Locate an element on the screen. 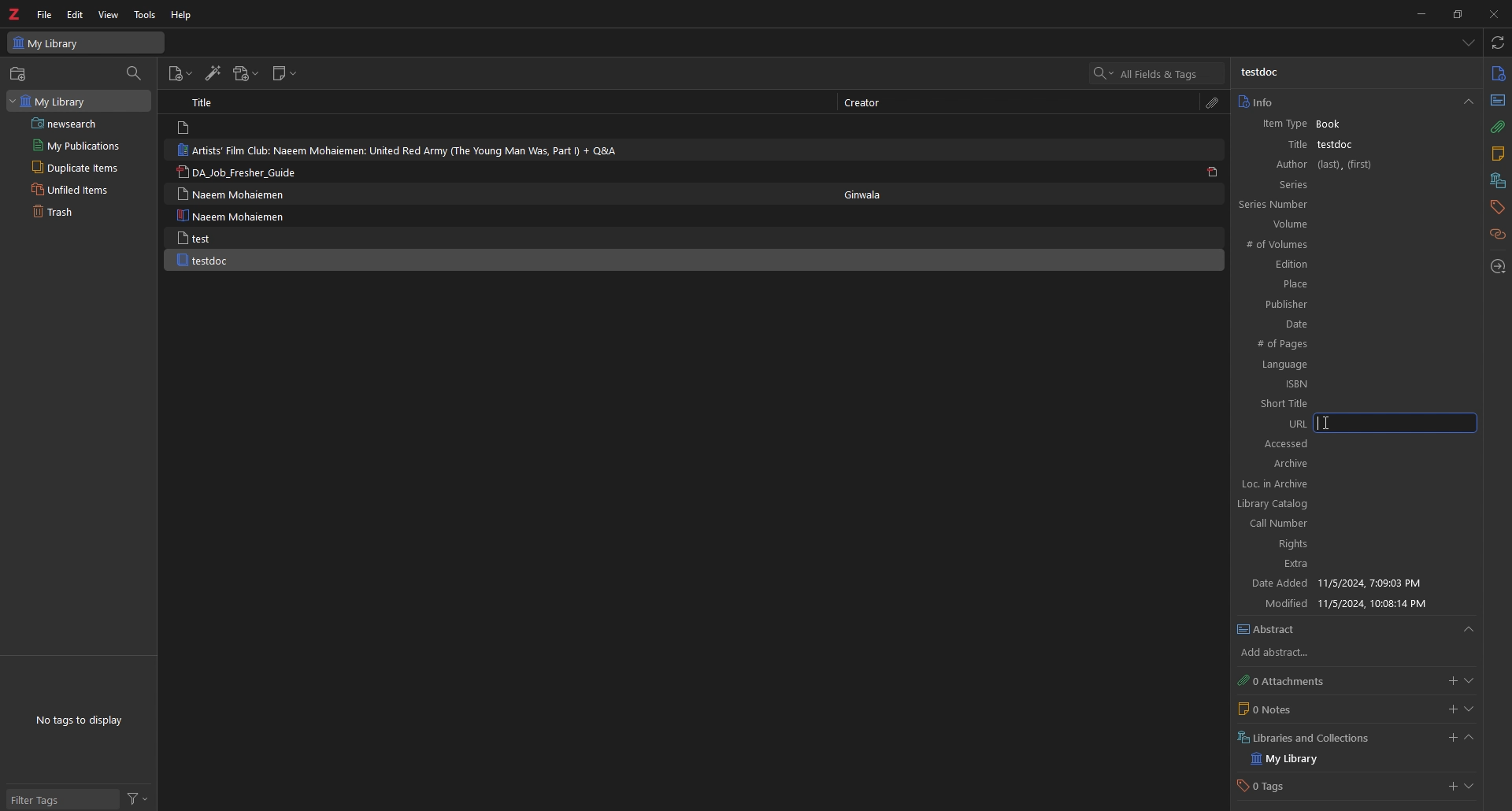  tools is located at coordinates (145, 16).